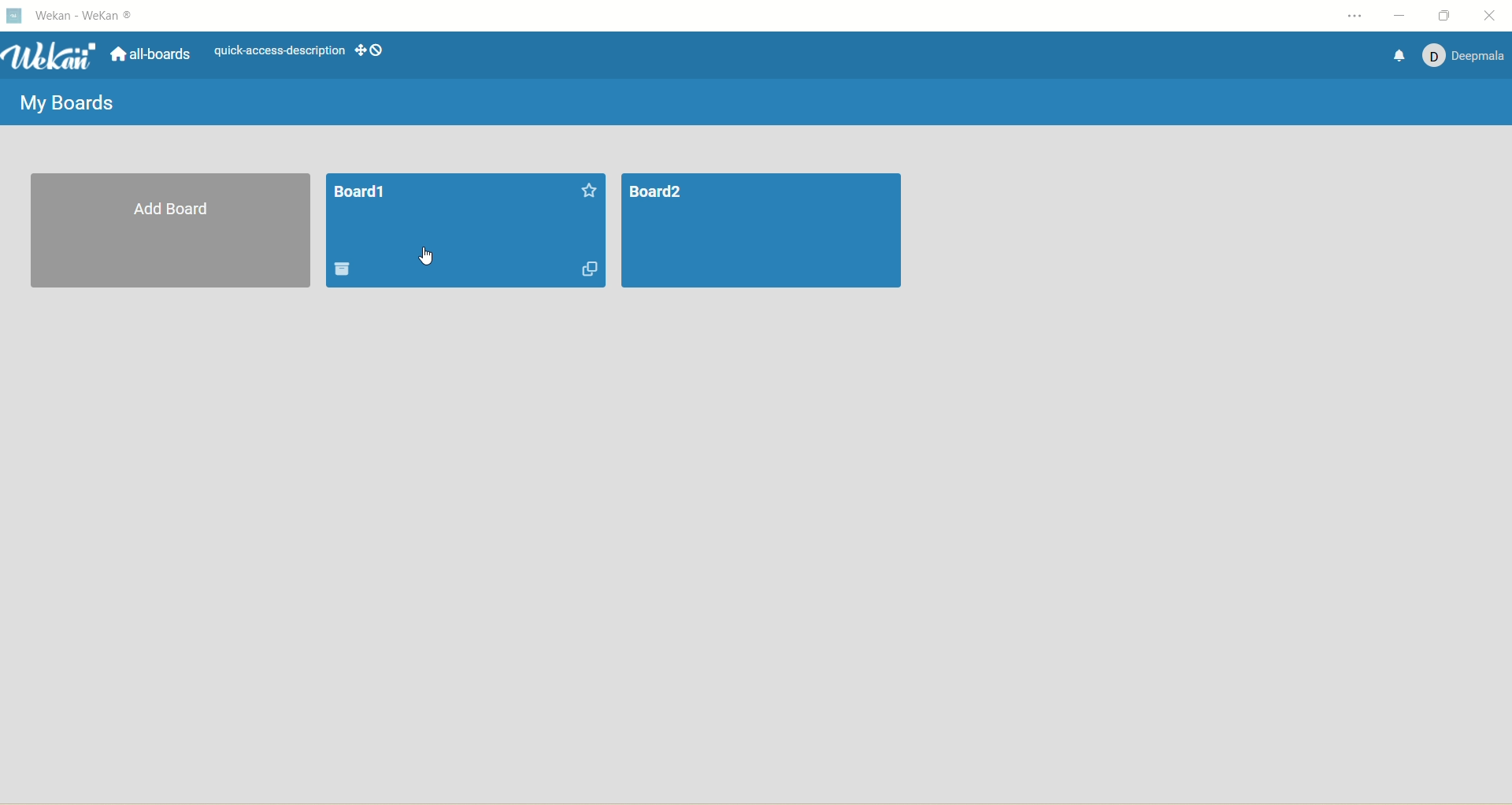  Describe the element at coordinates (1400, 56) in the screenshot. I see `notification` at that location.